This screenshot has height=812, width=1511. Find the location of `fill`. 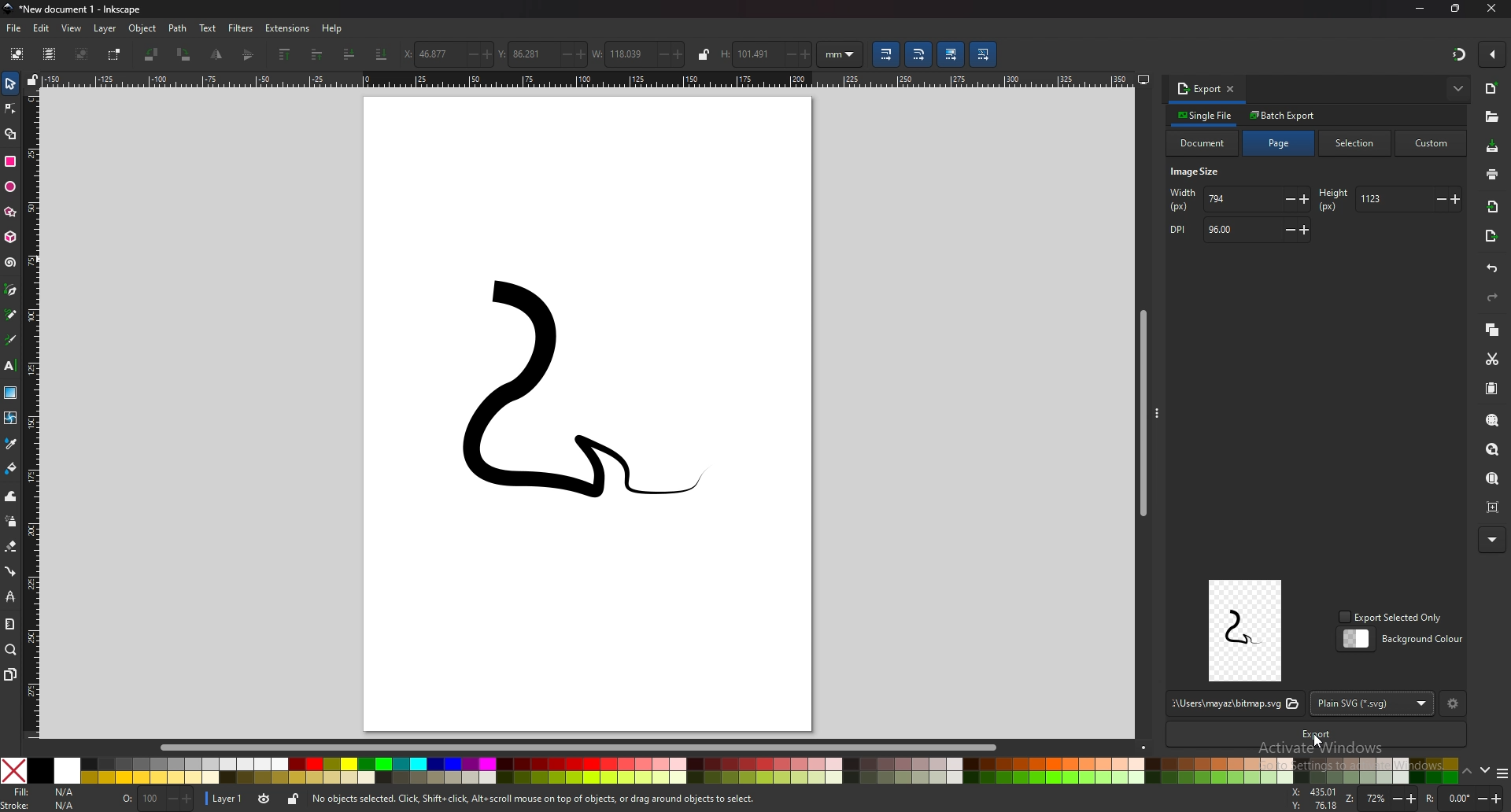

fill is located at coordinates (45, 792).